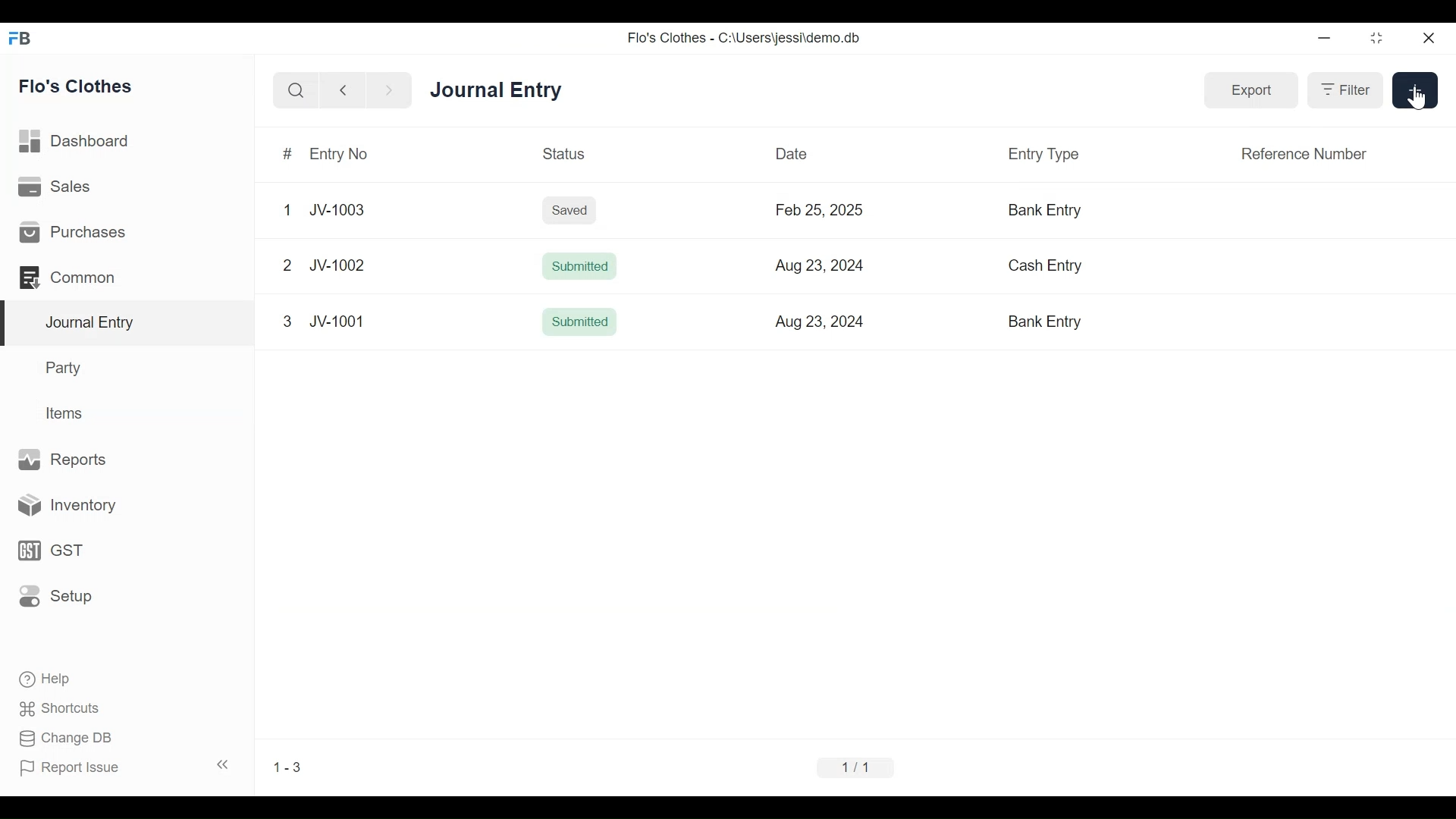 This screenshot has width=1456, height=819. Describe the element at coordinates (287, 767) in the screenshot. I see `1-3` at that location.